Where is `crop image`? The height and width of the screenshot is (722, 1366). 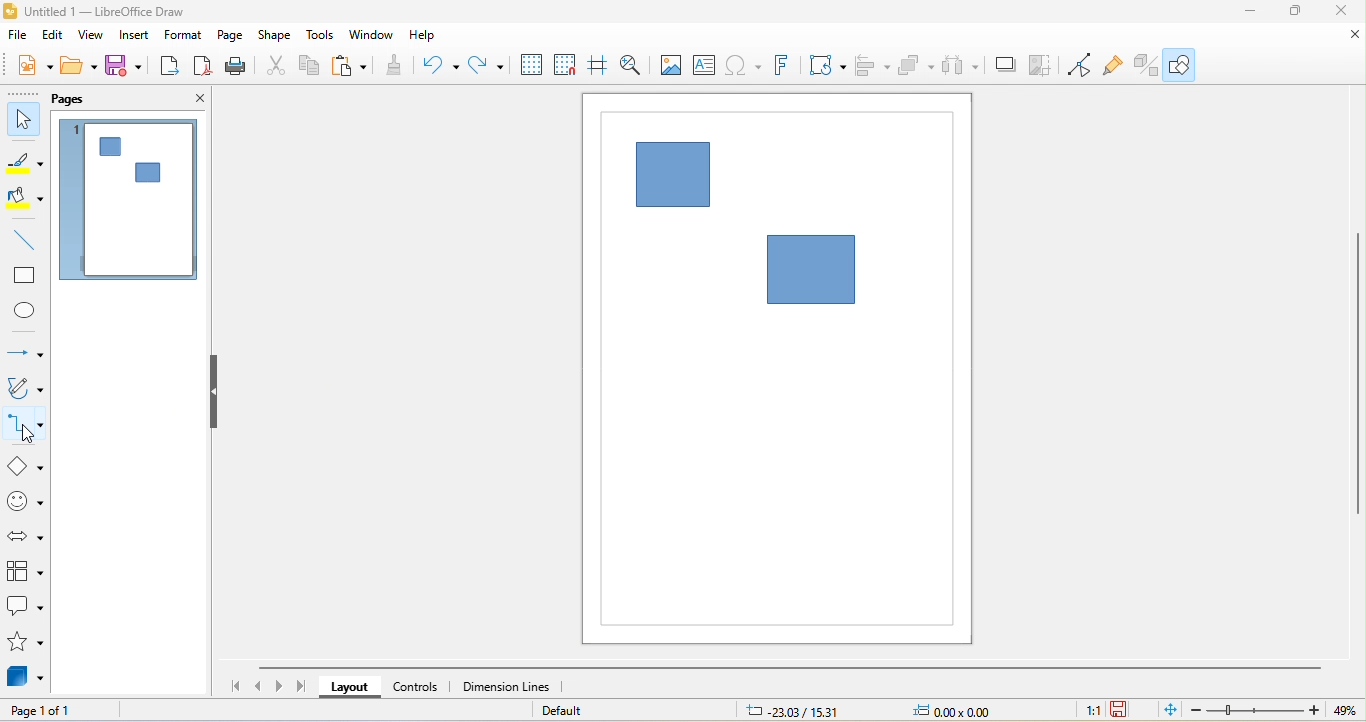
crop image is located at coordinates (1044, 65).